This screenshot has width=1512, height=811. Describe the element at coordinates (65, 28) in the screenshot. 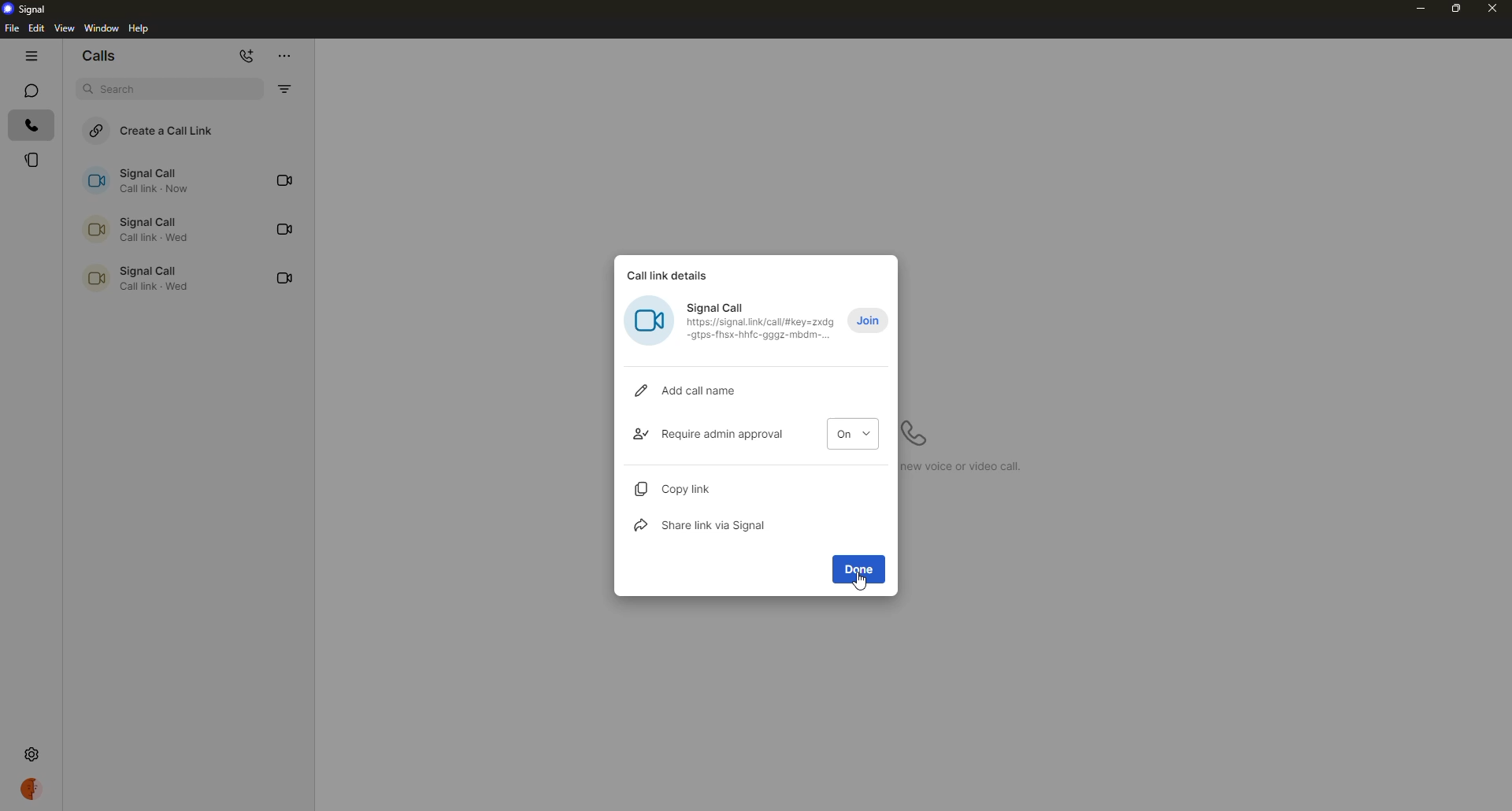

I see `view` at that location.